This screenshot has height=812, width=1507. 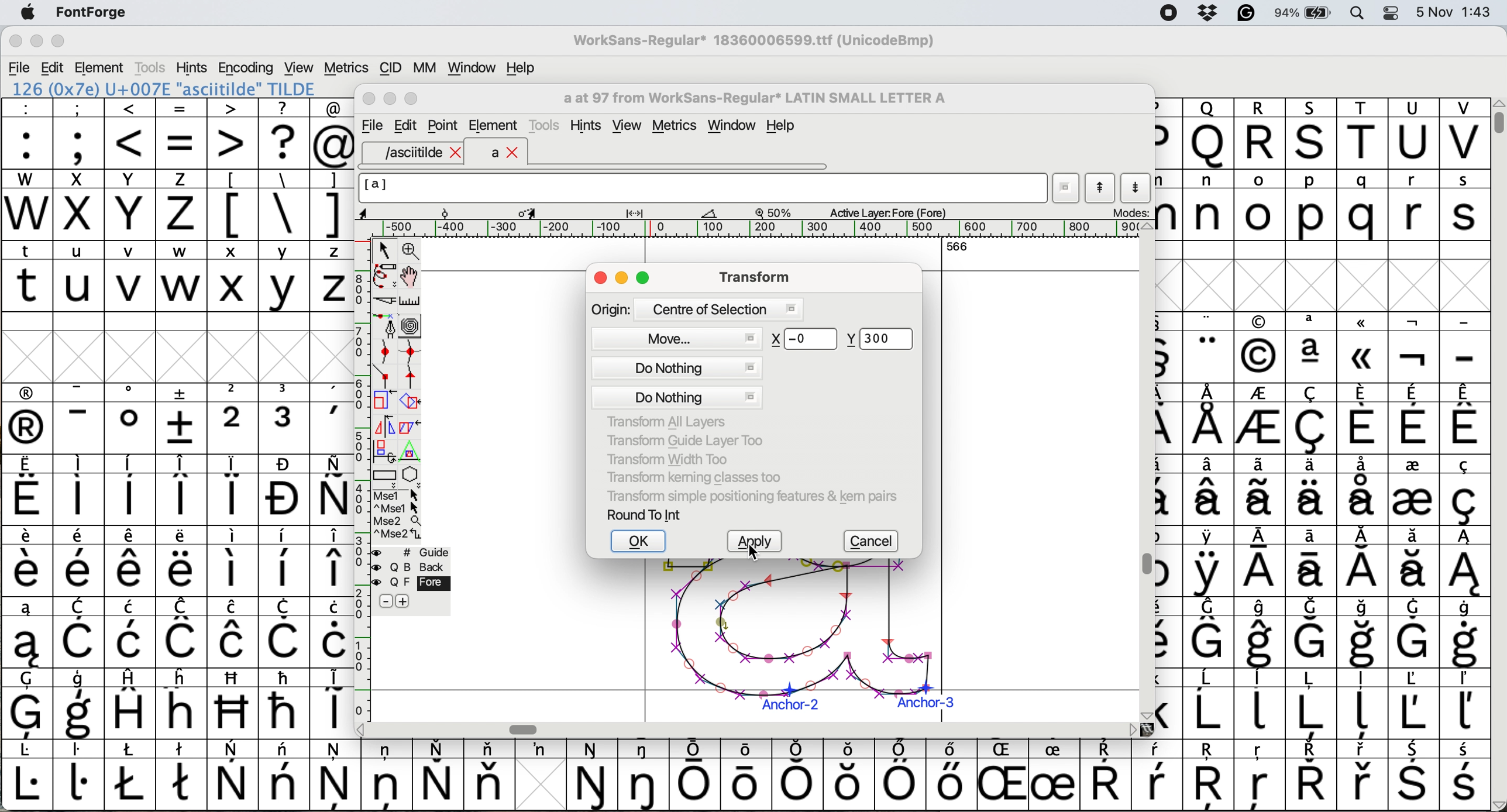 What do you see at coordinates (130, 418) in the screenshot?
I see `symbol` at bounding box center [130, 418].